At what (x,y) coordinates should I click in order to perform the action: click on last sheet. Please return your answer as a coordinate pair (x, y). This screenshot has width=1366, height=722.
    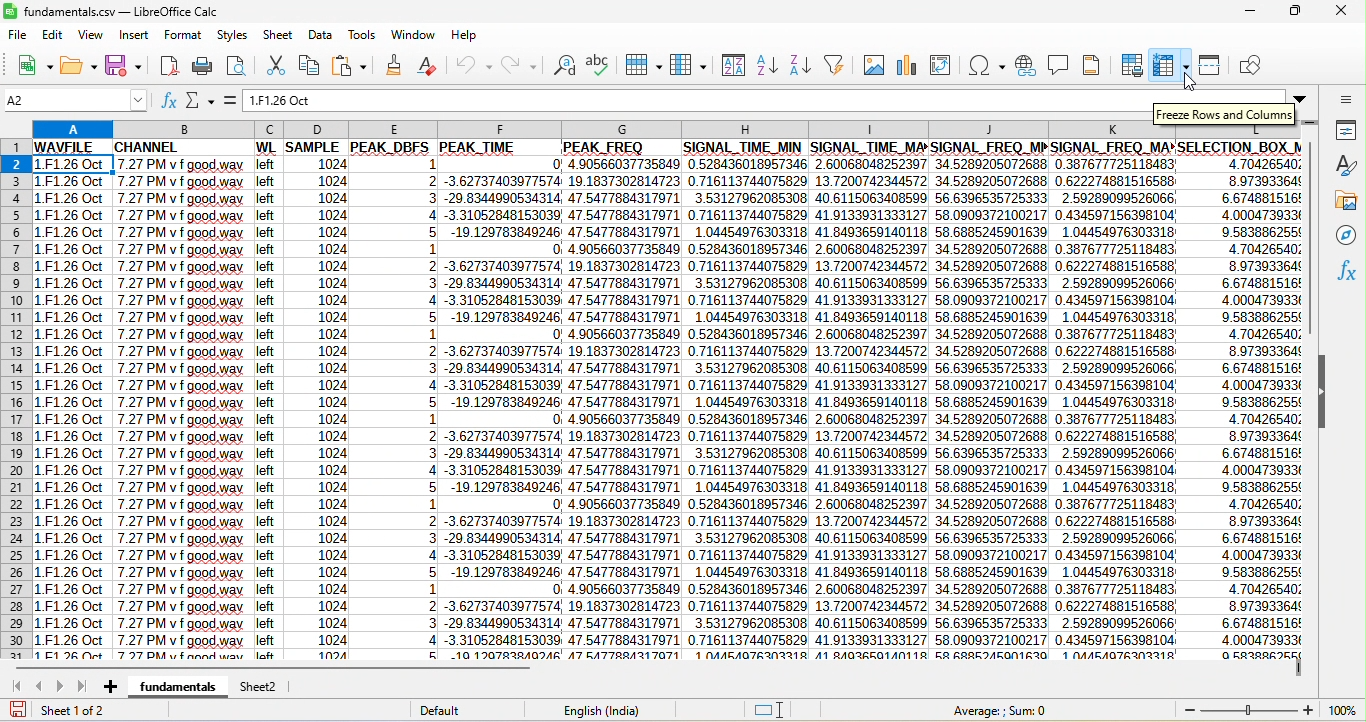
    Looking at the image, I should click on (82, 686).